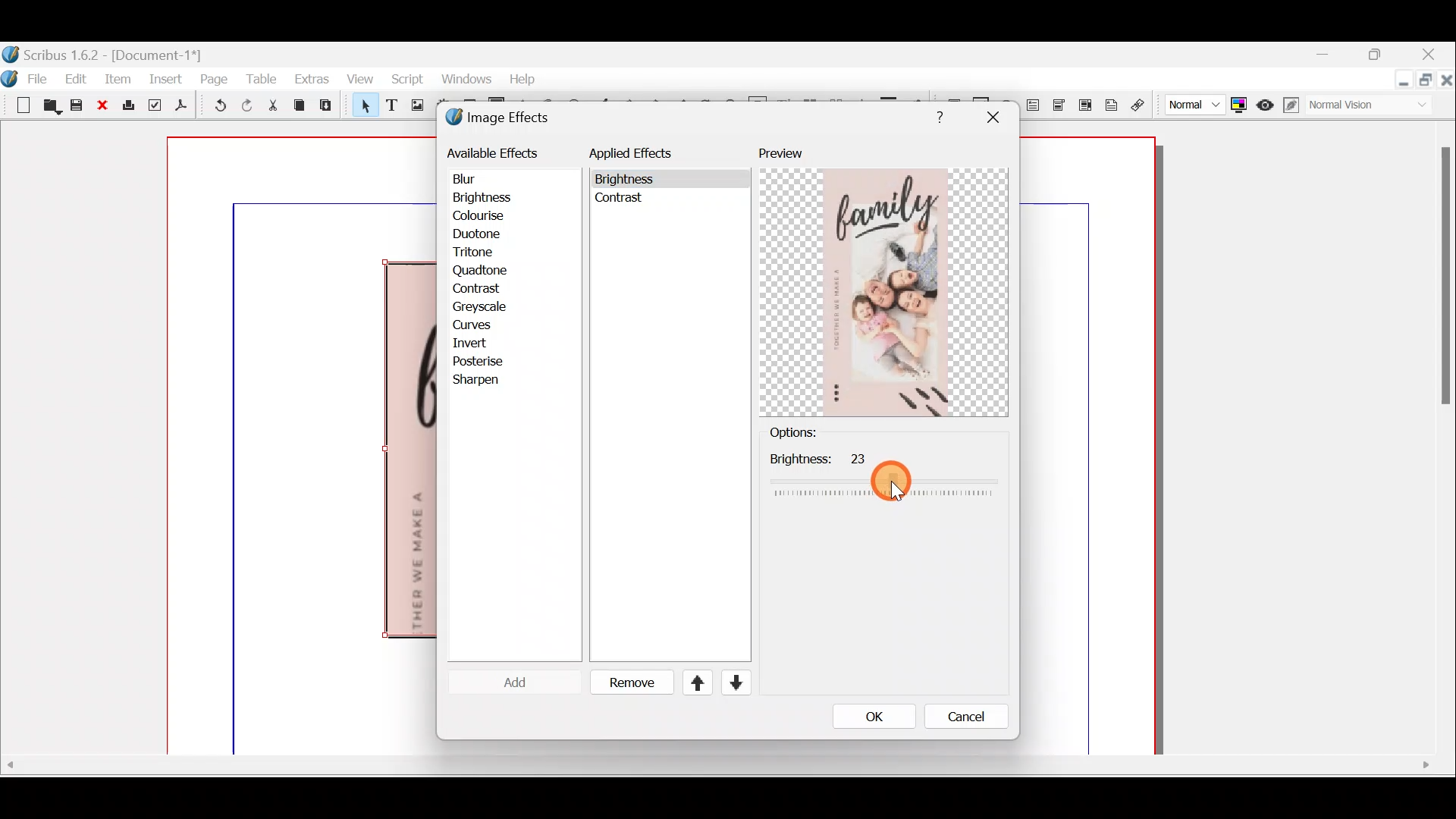  Describe the element at coordinates (272, 108) in the screenshot. I see `Cut` at that location.